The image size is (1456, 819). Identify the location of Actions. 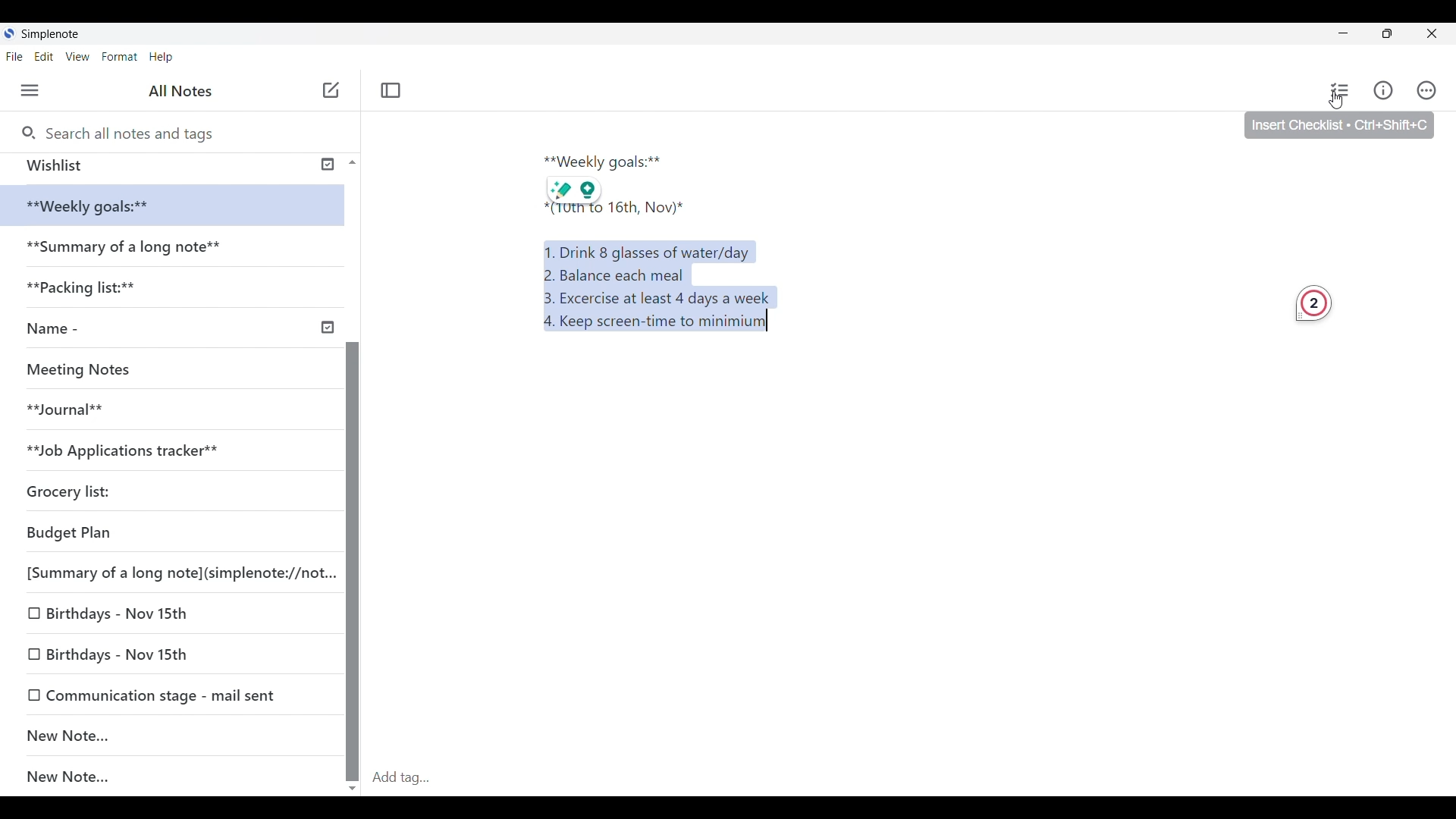
(1433, 90).